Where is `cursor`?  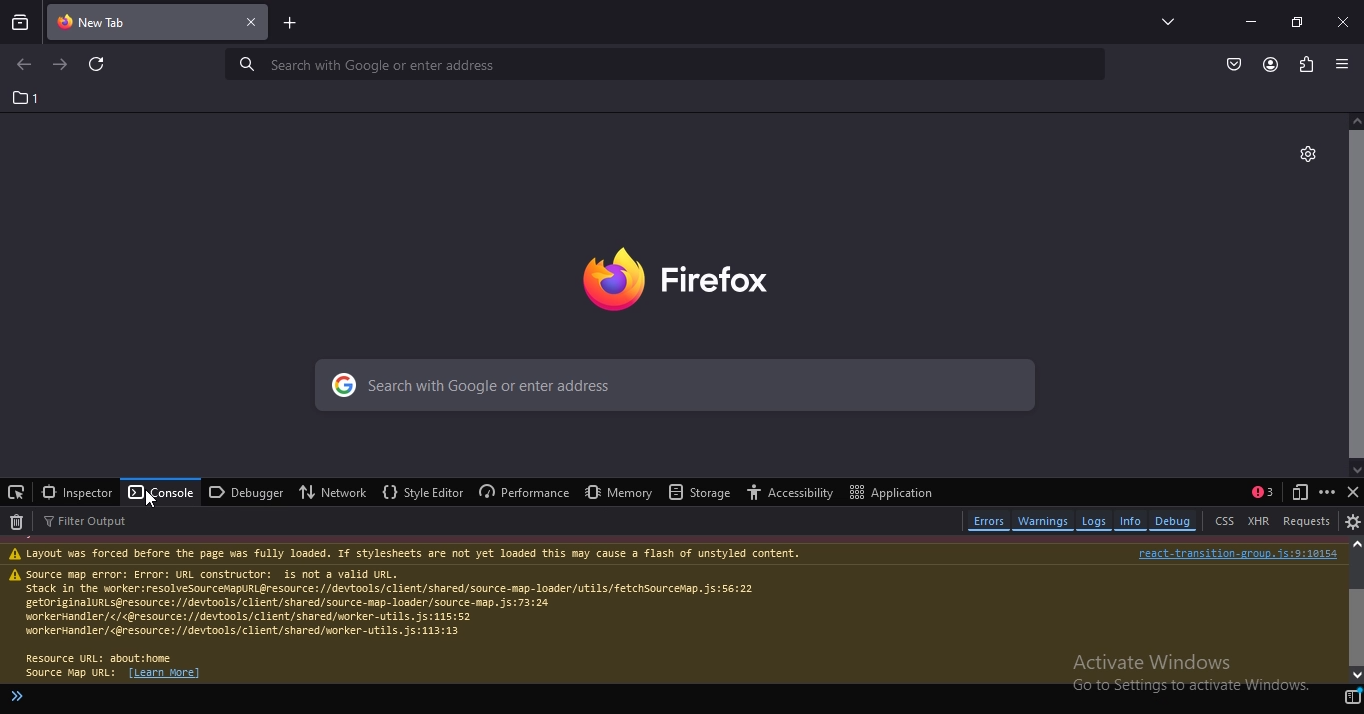 cursor is located at coordinates (152, 498).